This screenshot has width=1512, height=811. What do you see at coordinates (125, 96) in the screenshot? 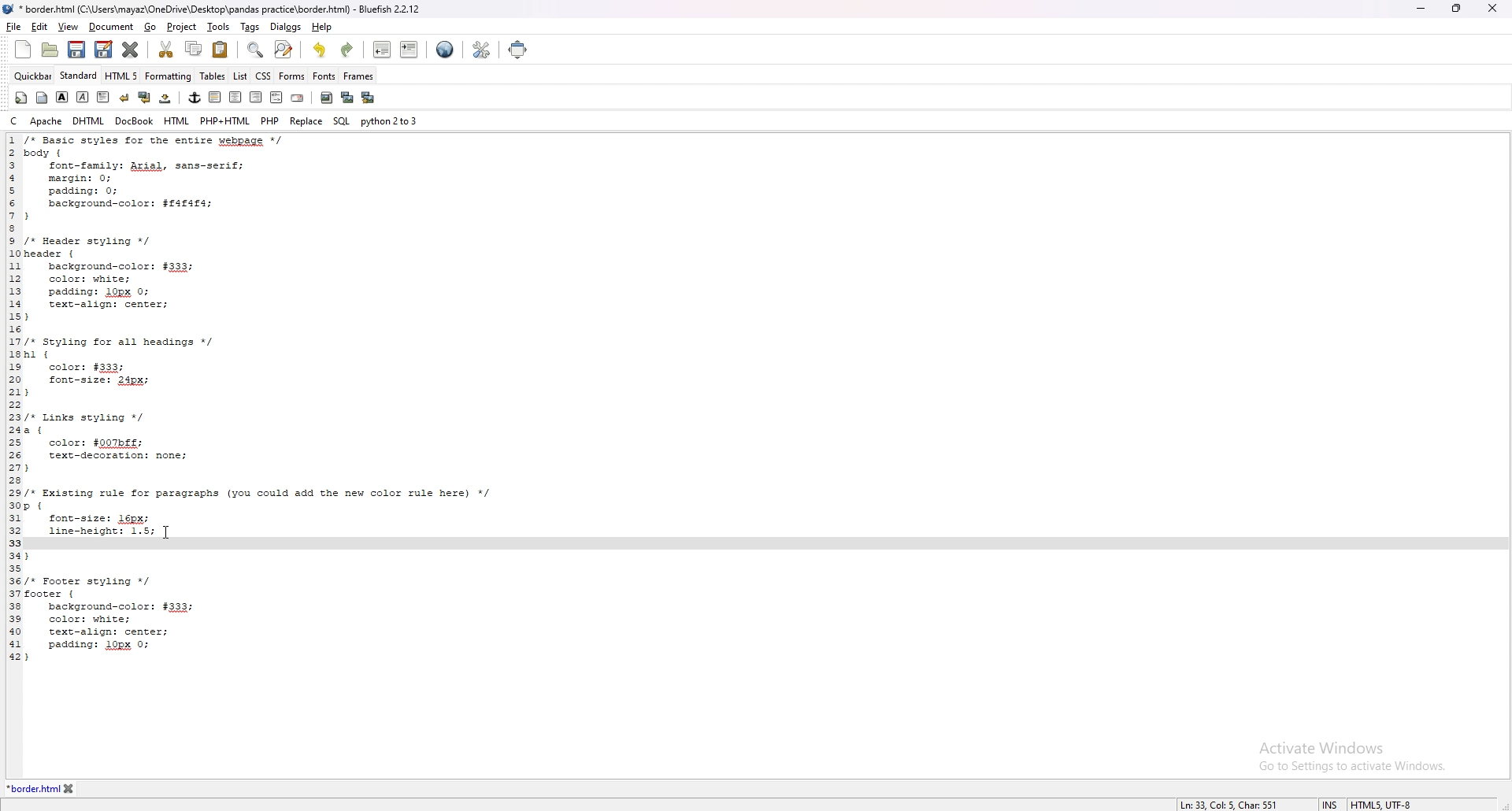
I see `break` at bounding box center [125, 96].